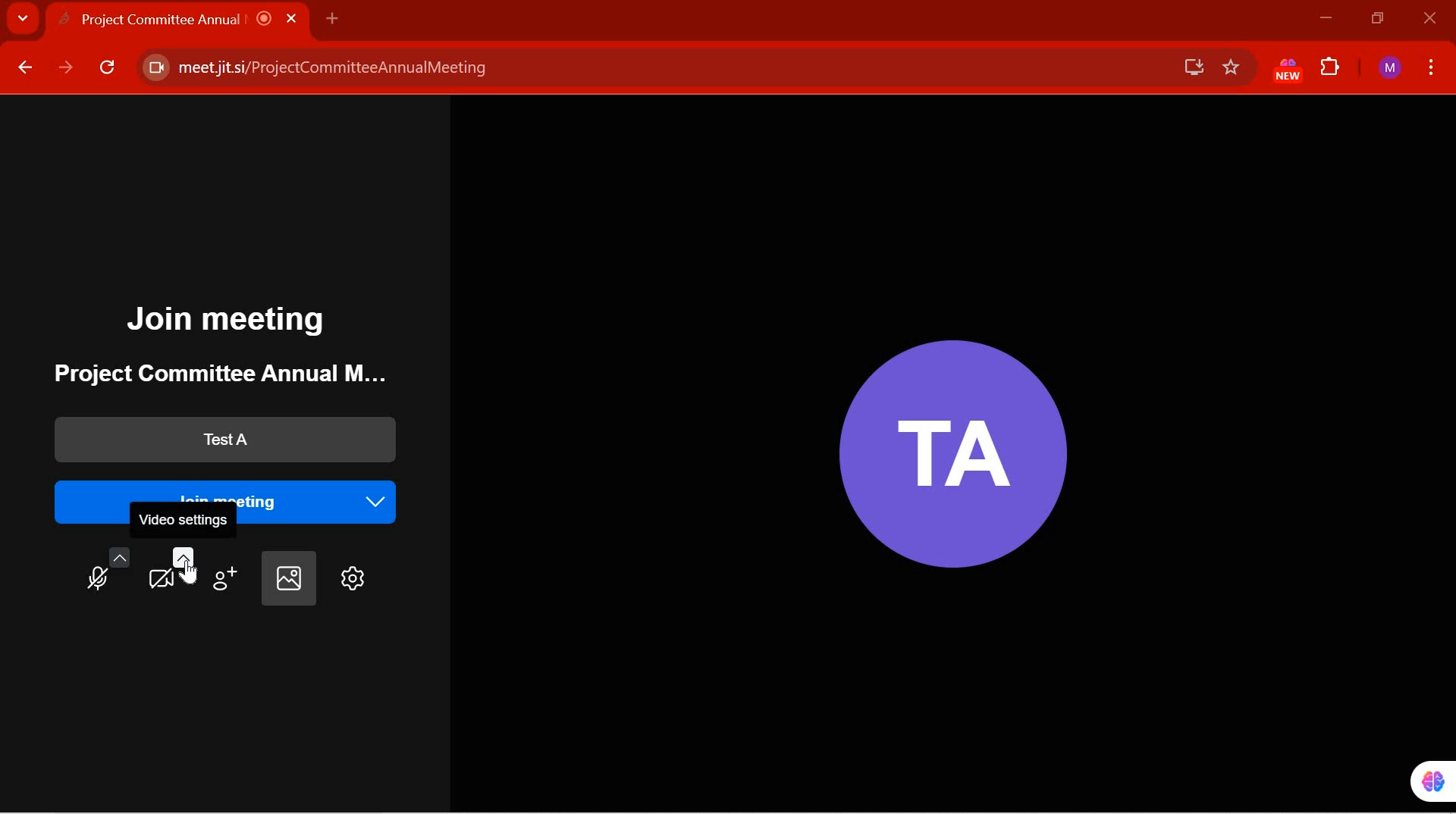 This screenshot has width=1456, height=814. I want to click on meet jitsi/ProjectCommitteeAnnualMeeting, so click(647, 68).